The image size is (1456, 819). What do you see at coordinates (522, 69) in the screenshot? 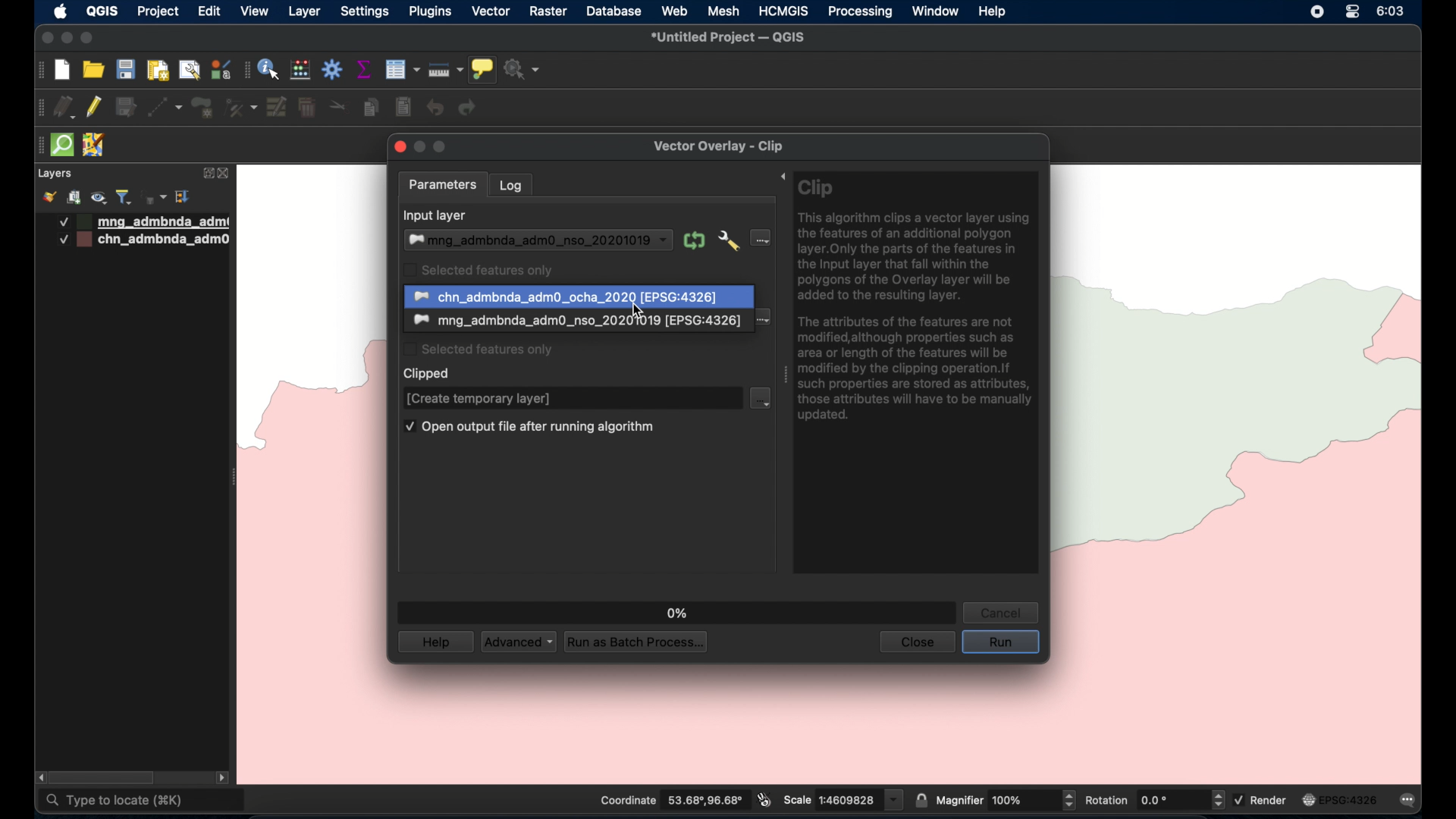
I see `no action selected` at bounding box center [522, 69].